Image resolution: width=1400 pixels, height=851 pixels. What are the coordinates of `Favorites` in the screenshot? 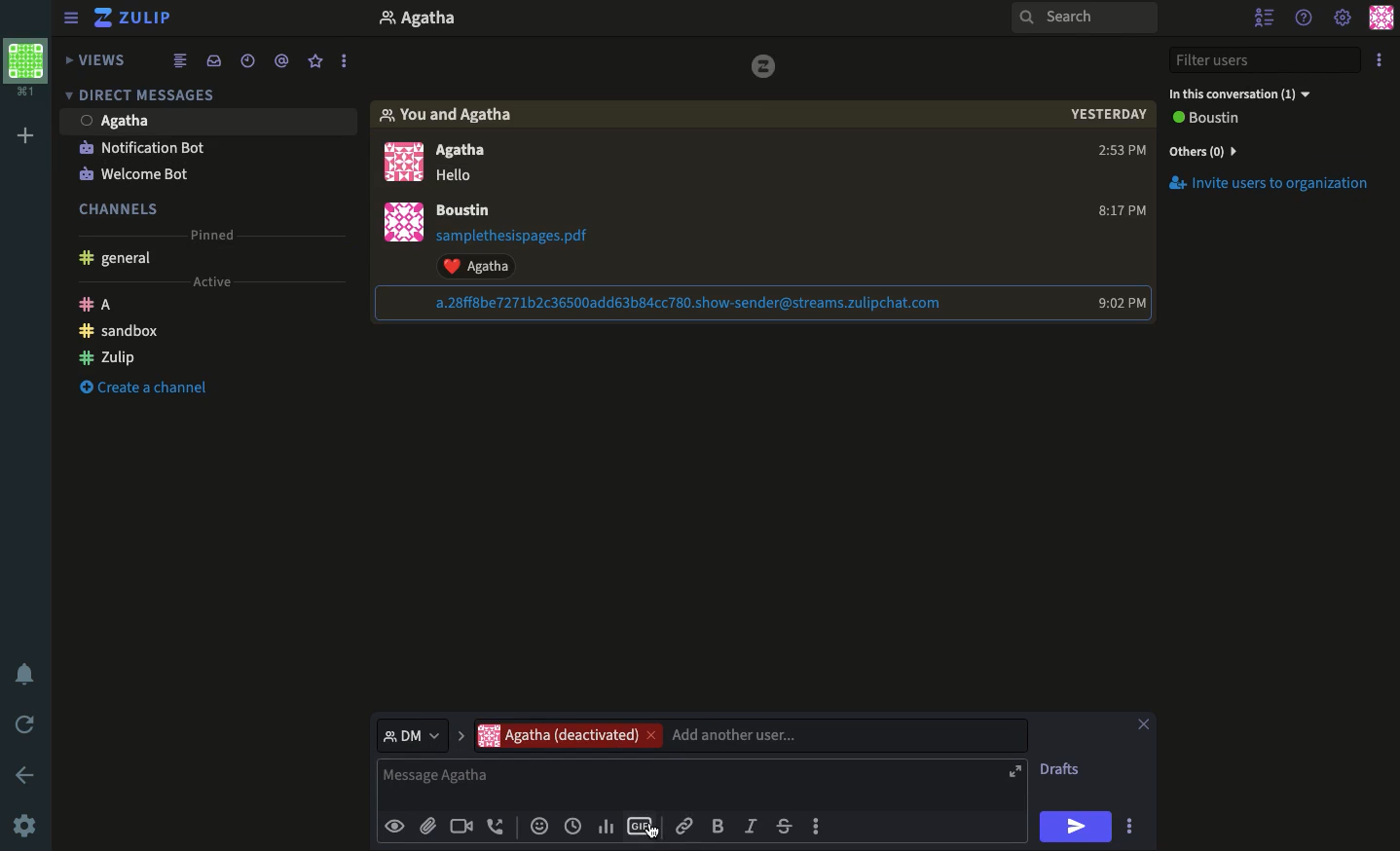 It's located at (314, 62).